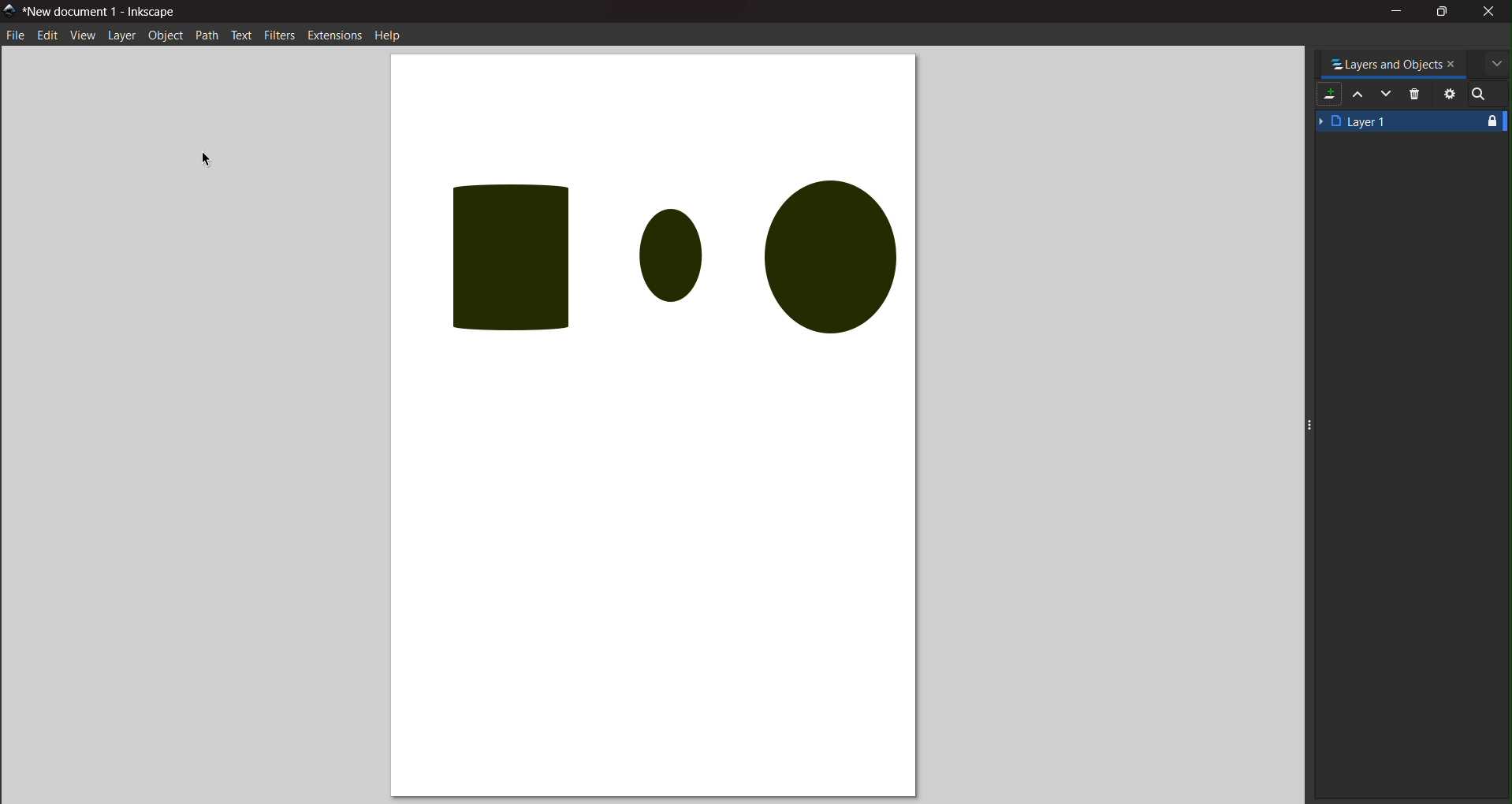  What do you see at coordinates (1310, 422) in the screenshot?
I see `expand` at bounding box center [1310, 422].